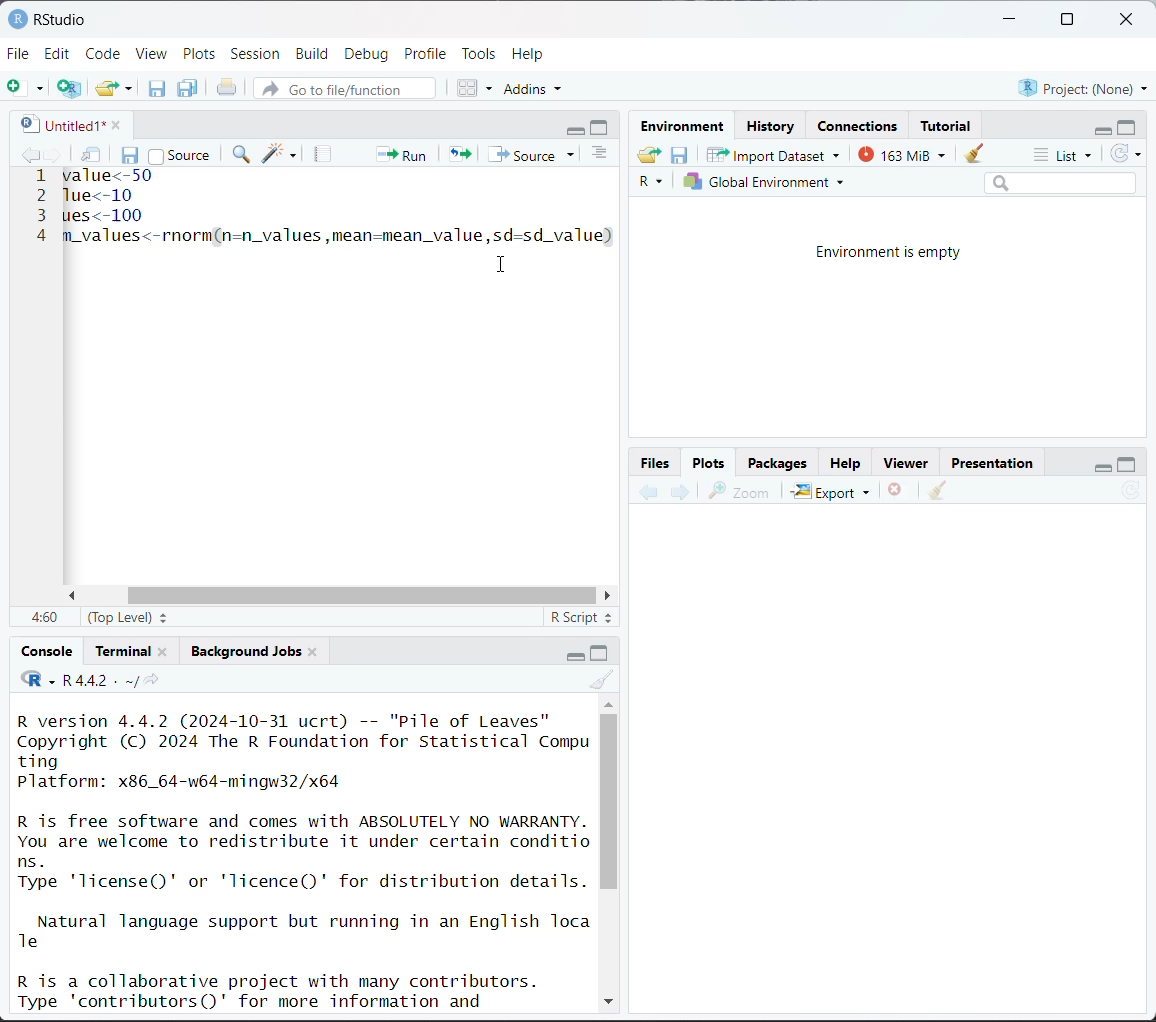 Image resolution: width=1156 pixels, height=1022 pixels. What do you see at coordinates (37, 680) in the screenshot?
I see `code` at bounding box center [37, 680].